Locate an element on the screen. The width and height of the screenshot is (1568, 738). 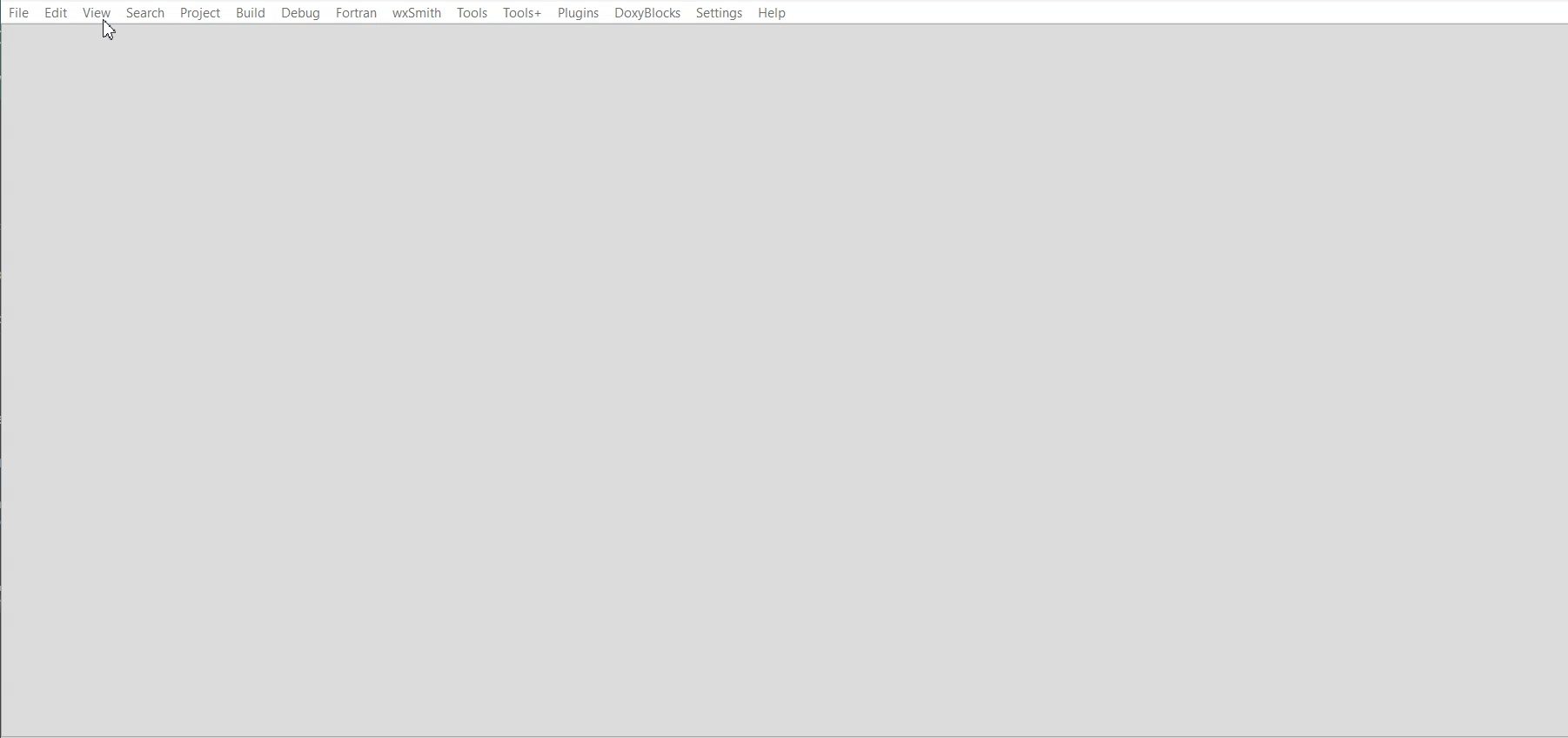
Search is located at coordinates (145, 12).